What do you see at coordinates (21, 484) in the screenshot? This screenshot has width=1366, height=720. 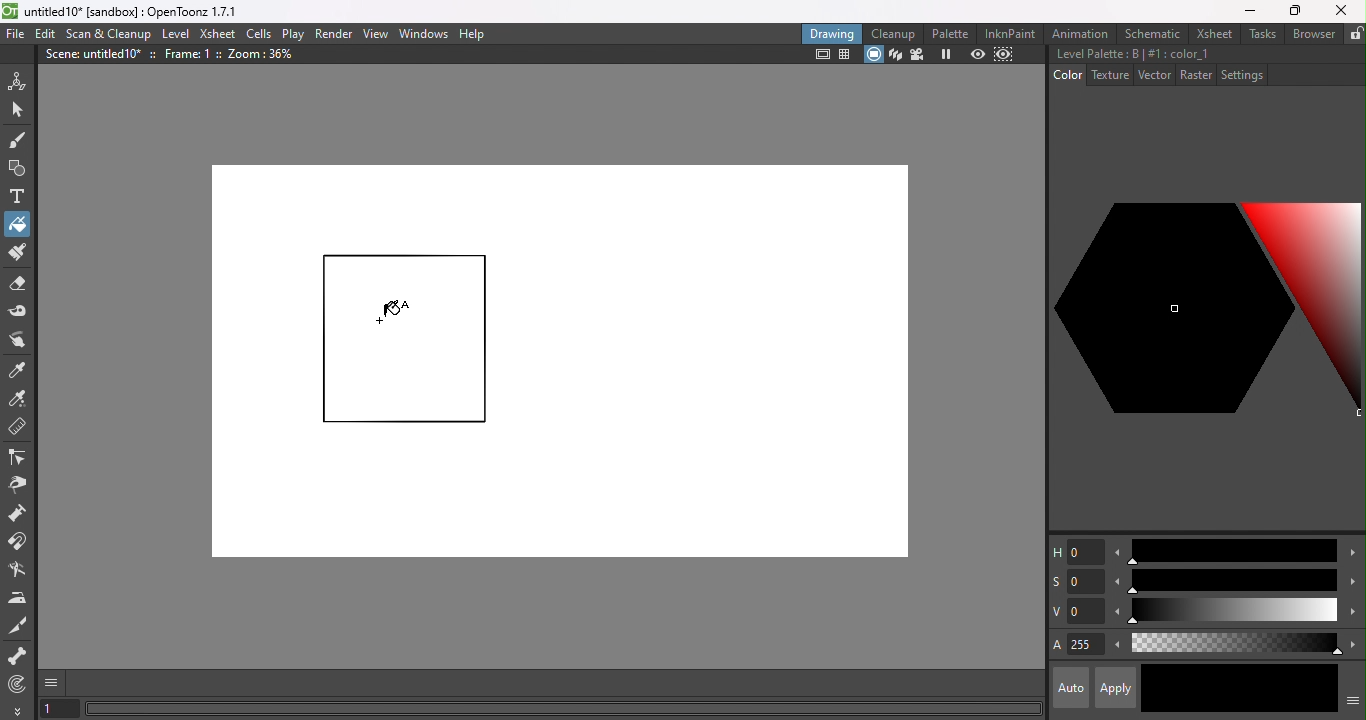 I see `Pinch tool` at bounding box center [21, 484].